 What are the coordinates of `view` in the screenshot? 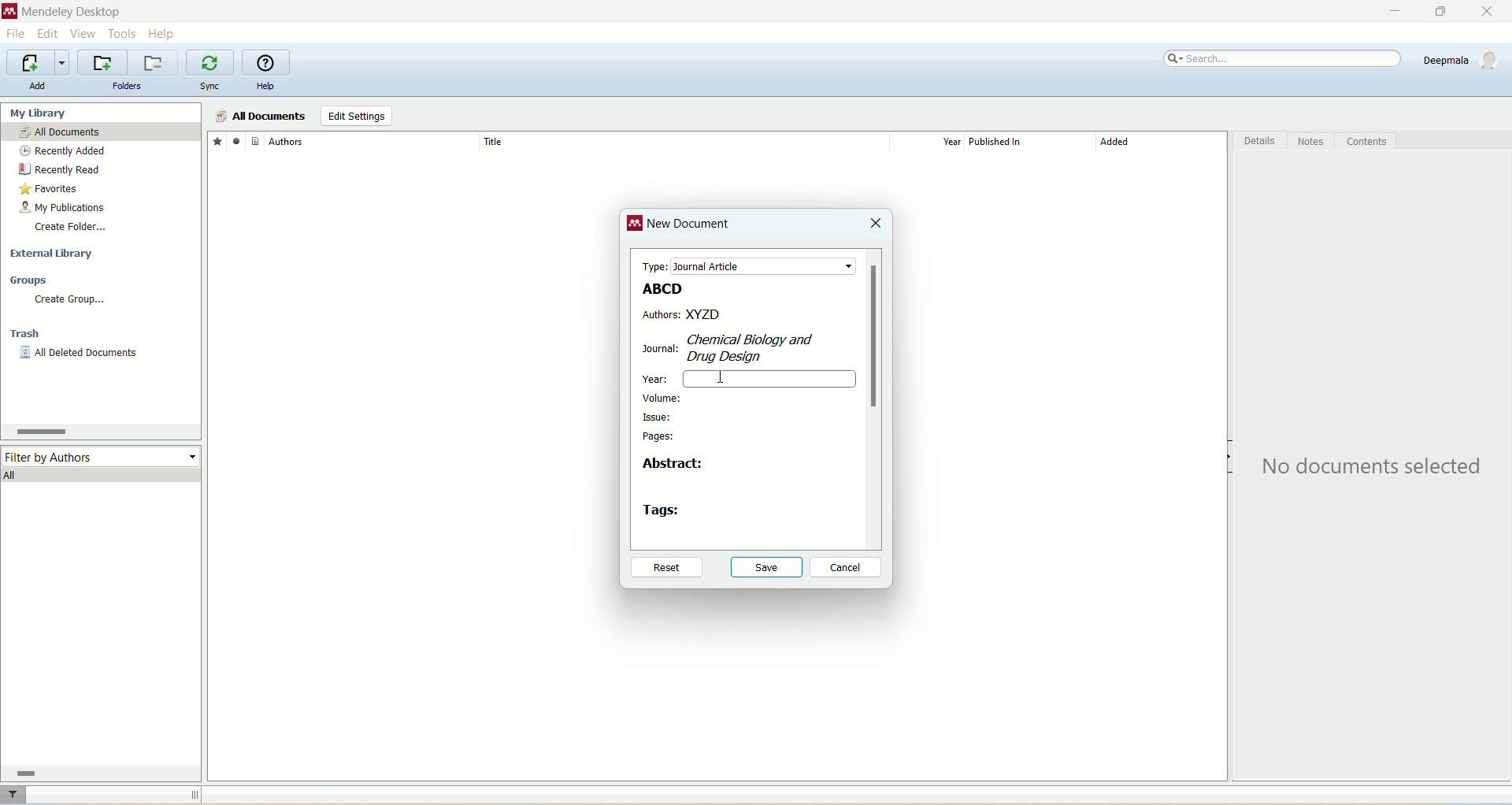 It's located at (84, 34).